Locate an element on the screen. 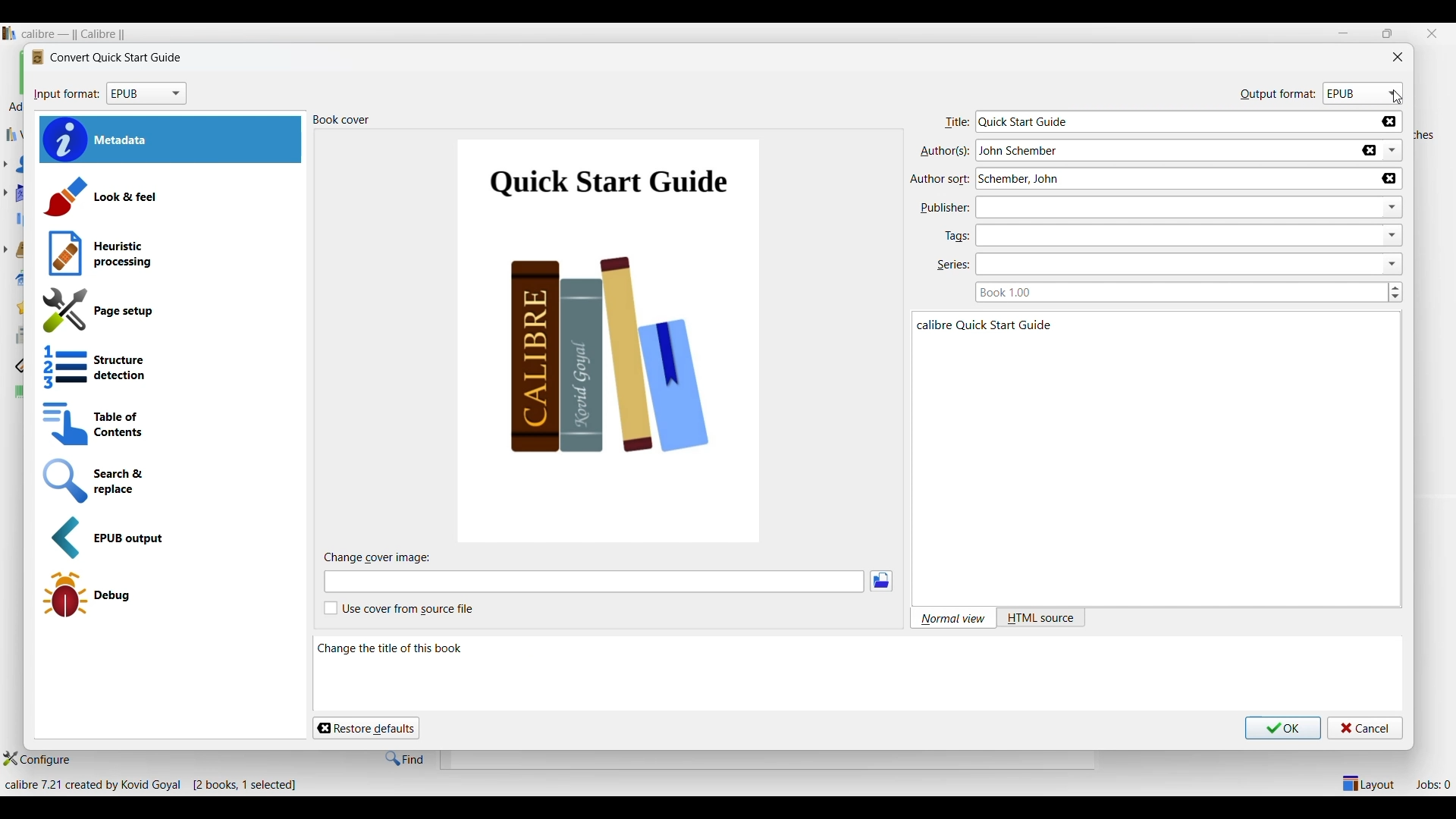 Image resolution: width=1456 pixels, height=819 pixels. Description of current selection is located at coordinates (856, 676).